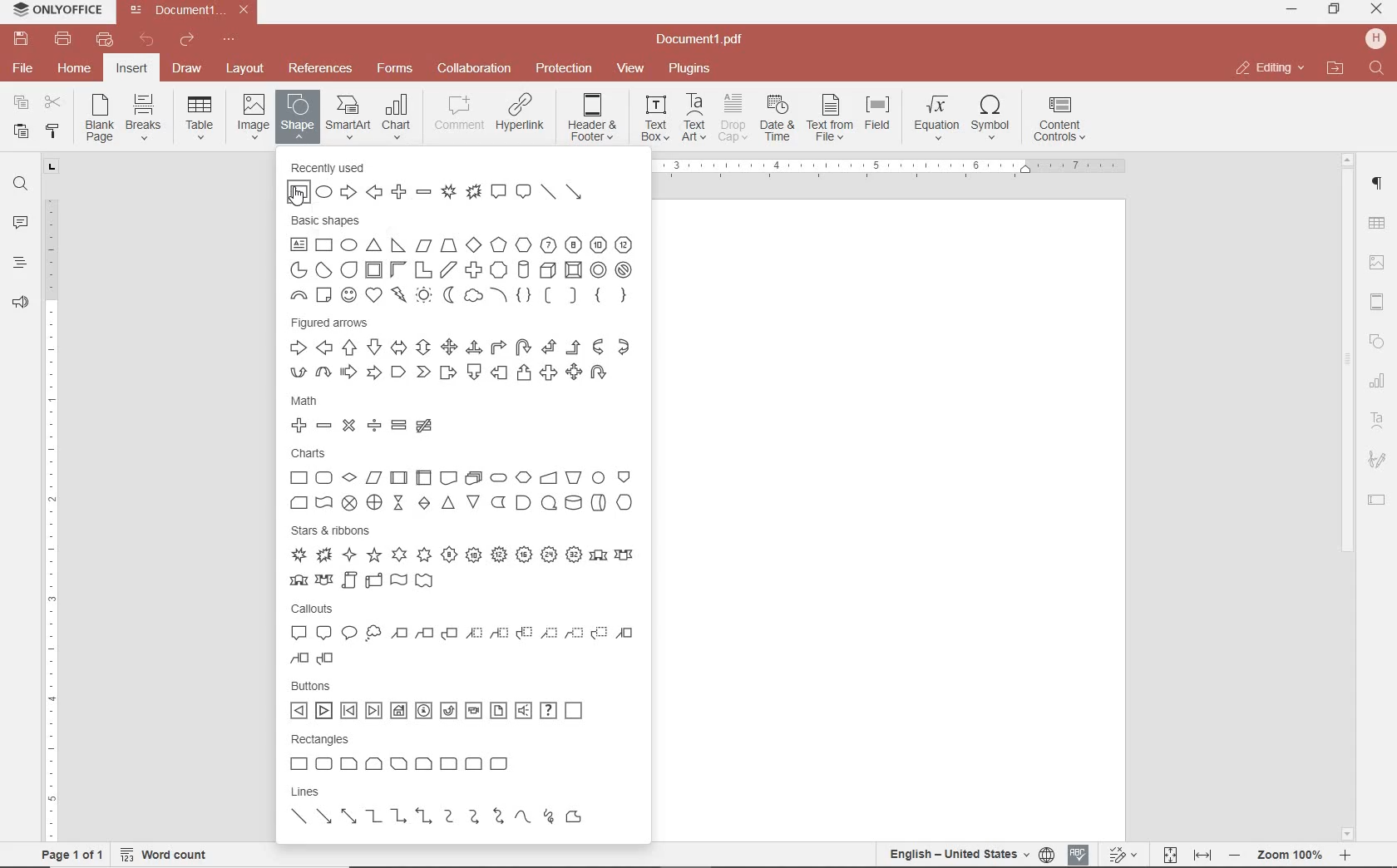 The width and height of the screenshot is (1397, 868). What do you see at coordinates (72, 67) in the screenshot?
I see `home` at bounding box center [72, 67].